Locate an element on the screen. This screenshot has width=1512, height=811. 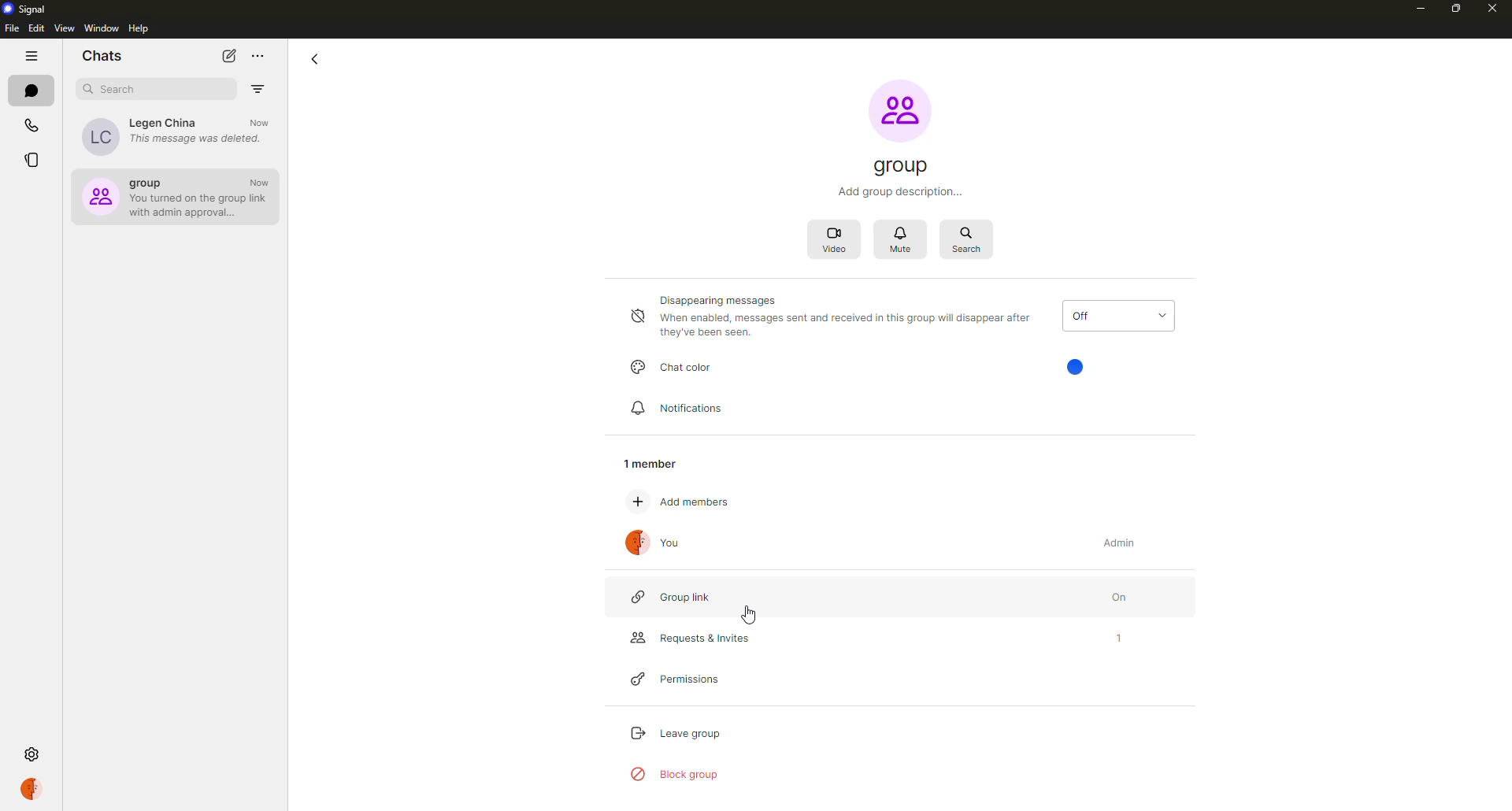
notifications is located at coordinates (685, 409).